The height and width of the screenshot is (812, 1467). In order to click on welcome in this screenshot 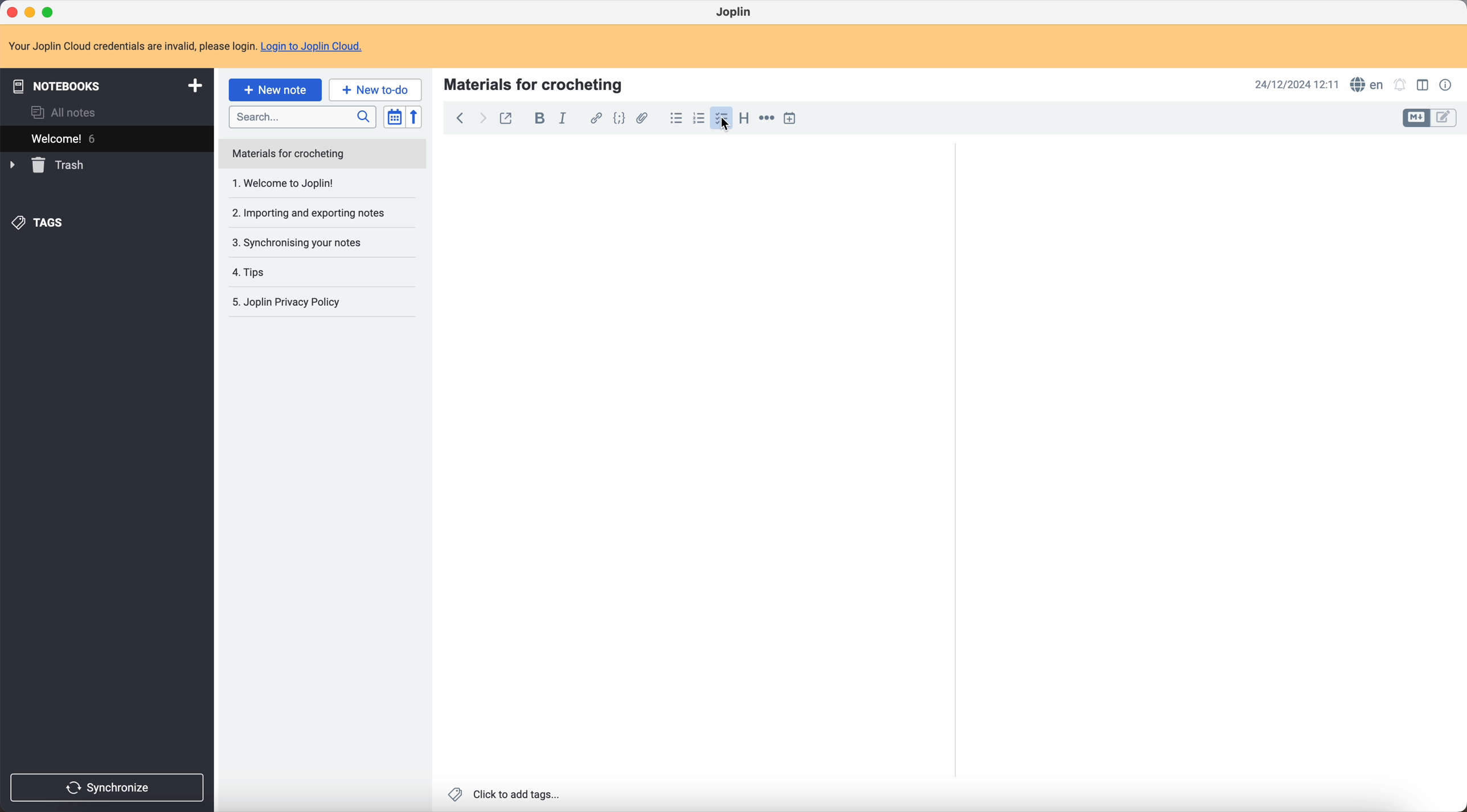, I will do `click(106, 137)`.